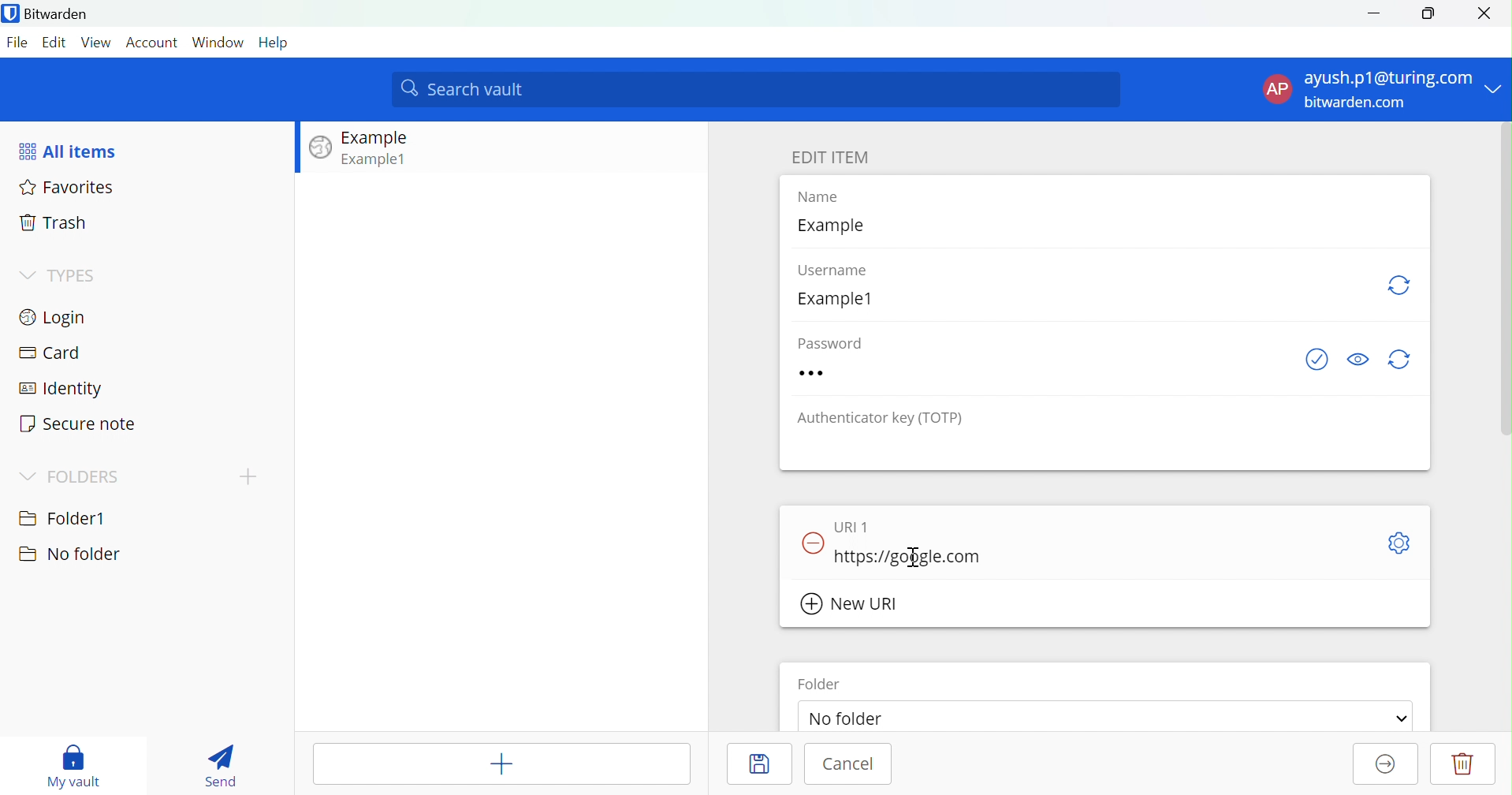 This screenshot has width=1512, height=795. Describe the element at coordinates (1390, 78) in the screenshot. I see `ayush.p1@turing.com` at that location.